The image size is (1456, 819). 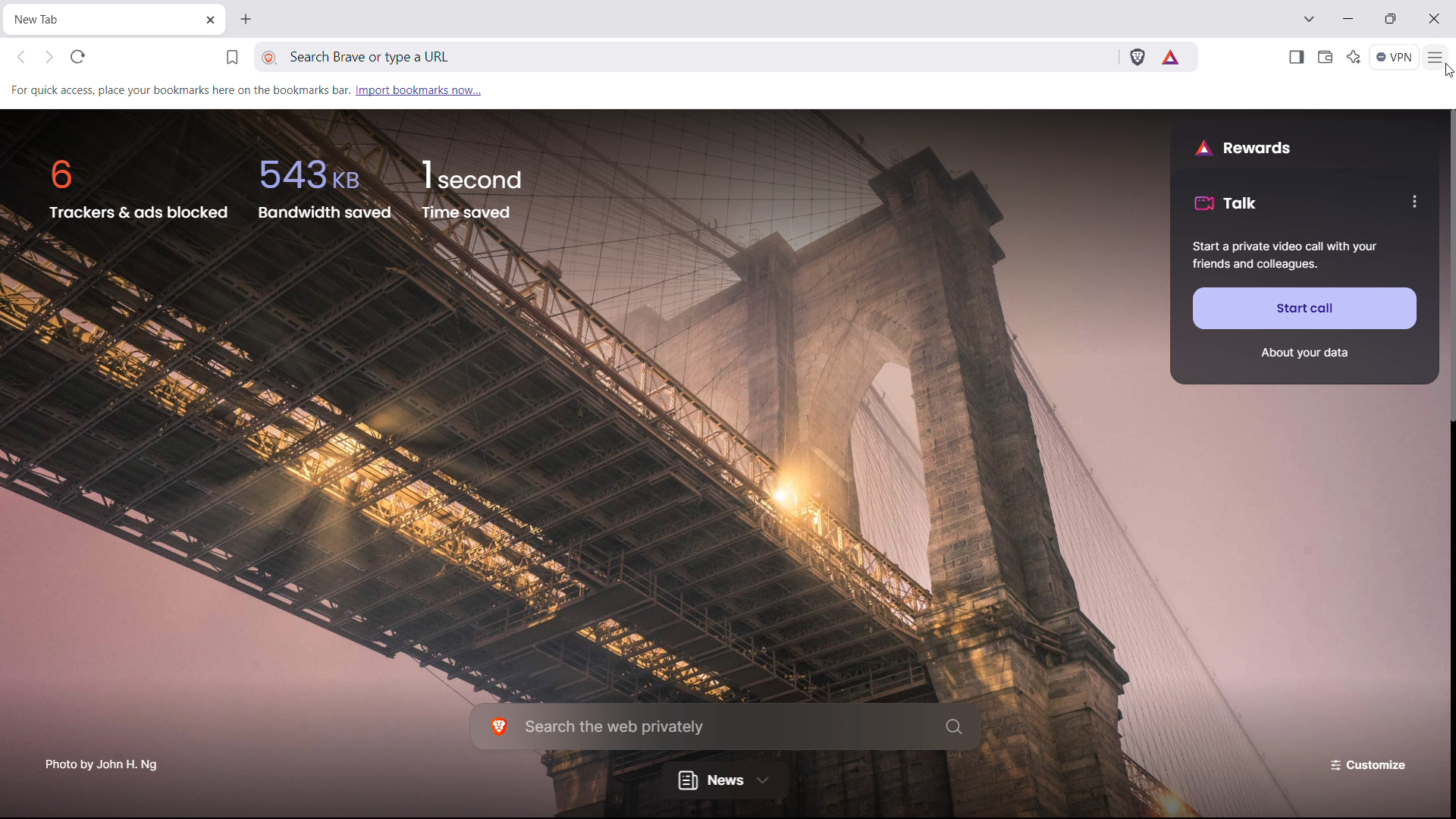 What do you see at coordinates (1368, 763) in the screenshot?
I see `customize` at bounding box center [1368, 763].